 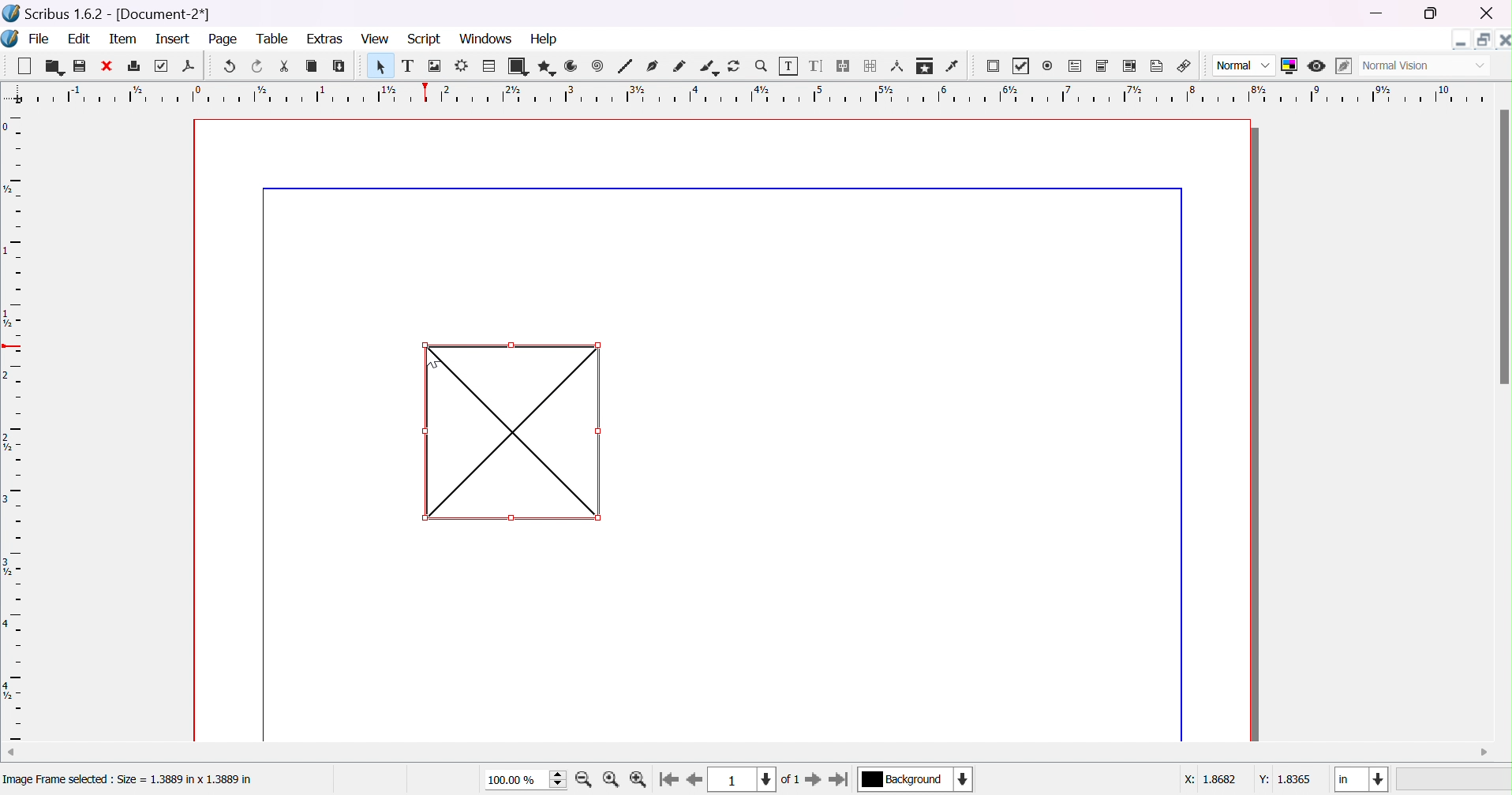 What do you see at coordinates (1503, 38) in the screenshot?
I see `close` at bounding box center [1503, 38].